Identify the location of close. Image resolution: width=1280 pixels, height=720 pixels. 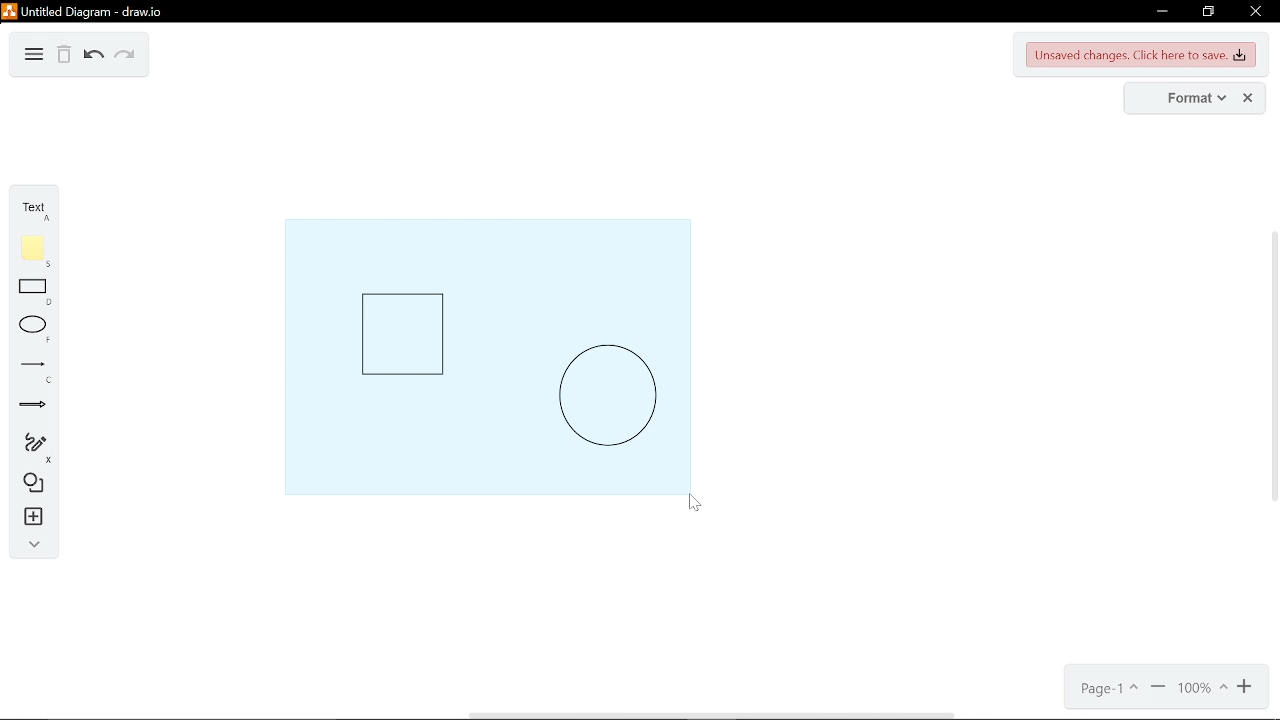
(1248, 98).